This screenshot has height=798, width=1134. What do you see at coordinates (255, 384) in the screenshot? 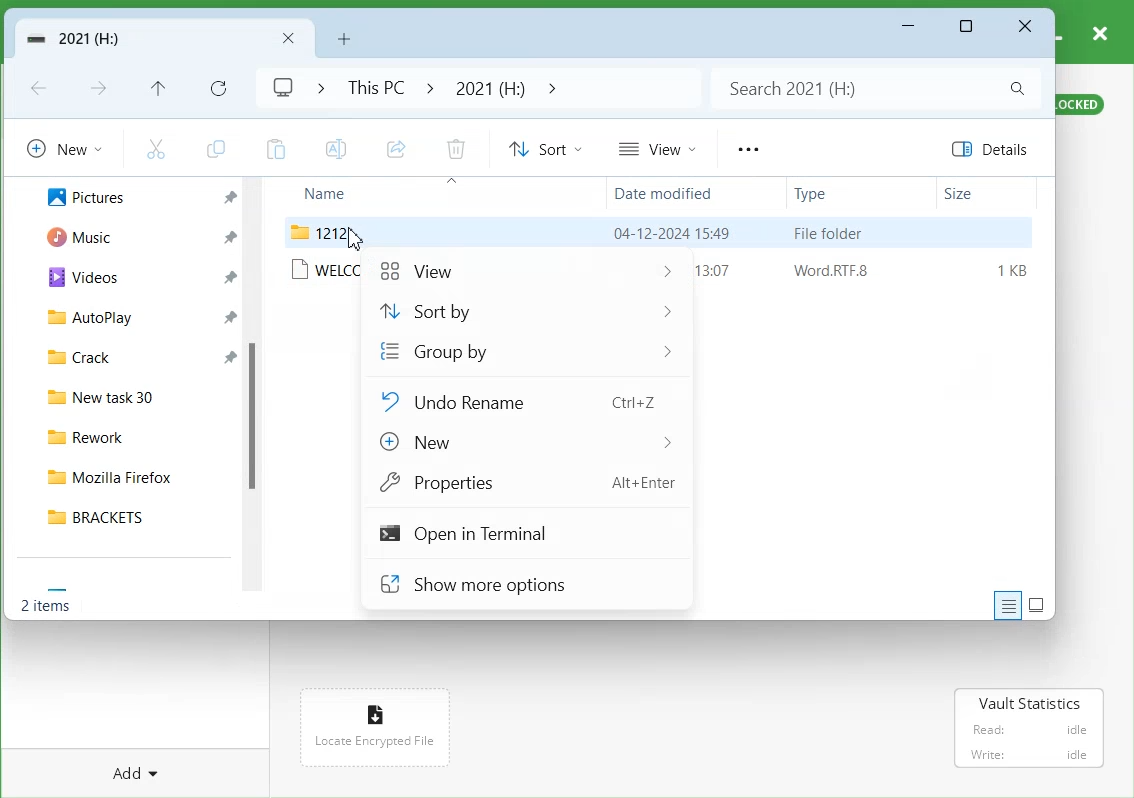
I see `scrollbar` at bounding box center [255, 384].